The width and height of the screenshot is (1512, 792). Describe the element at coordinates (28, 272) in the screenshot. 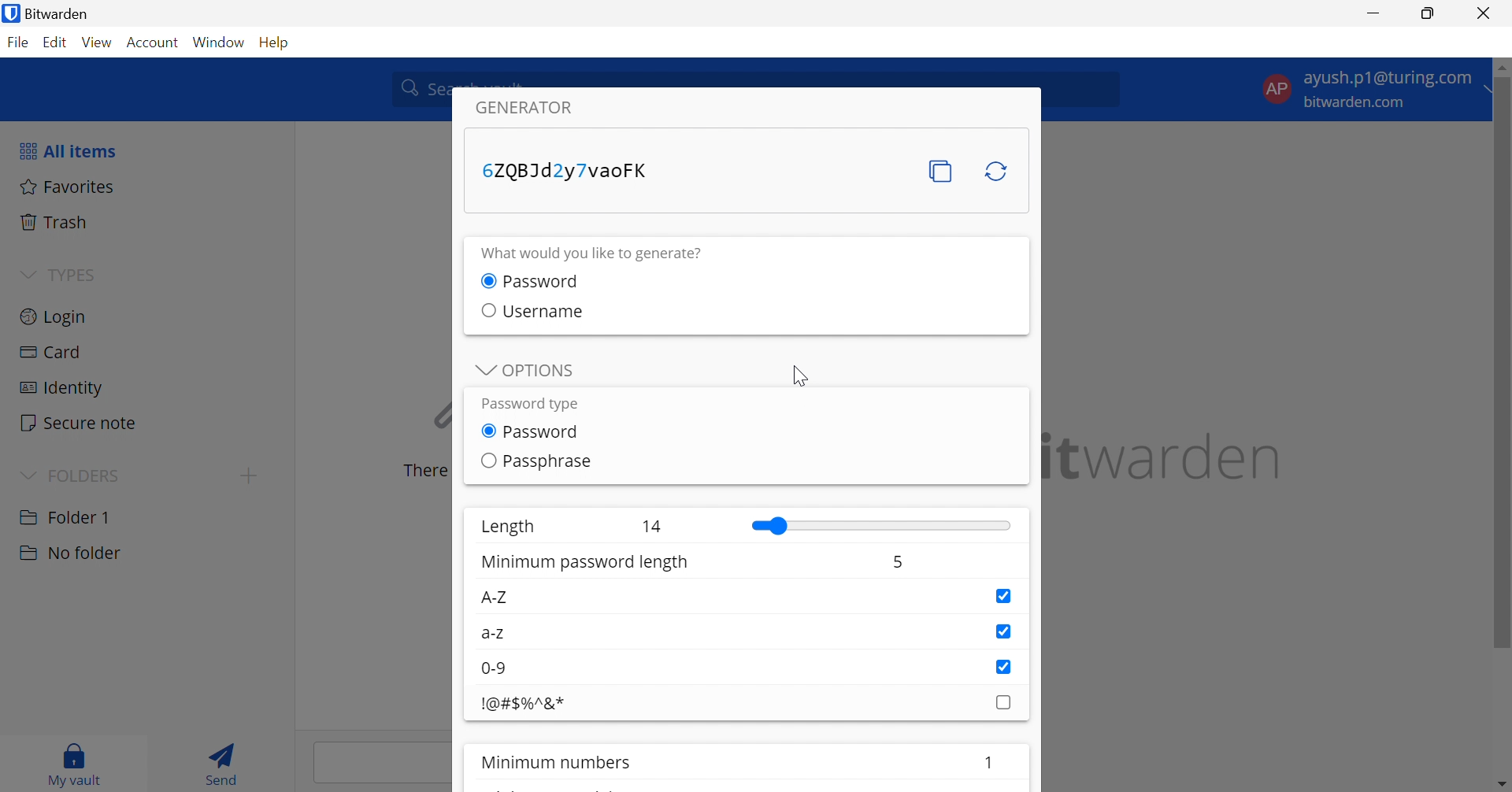

I see `Drop Down` at that location.